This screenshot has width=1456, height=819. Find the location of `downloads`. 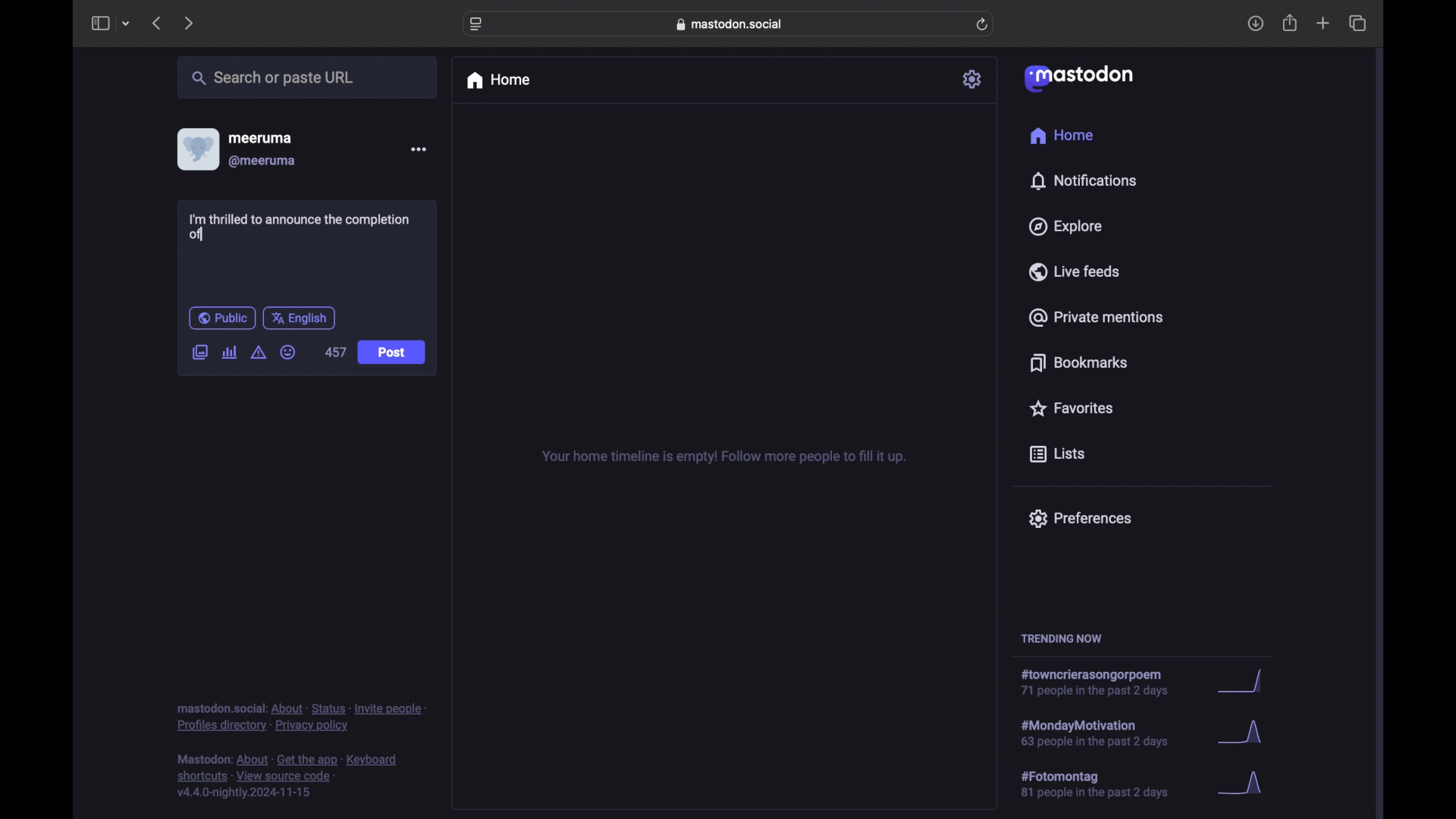

downloads is located at coordinates (1255, 24).